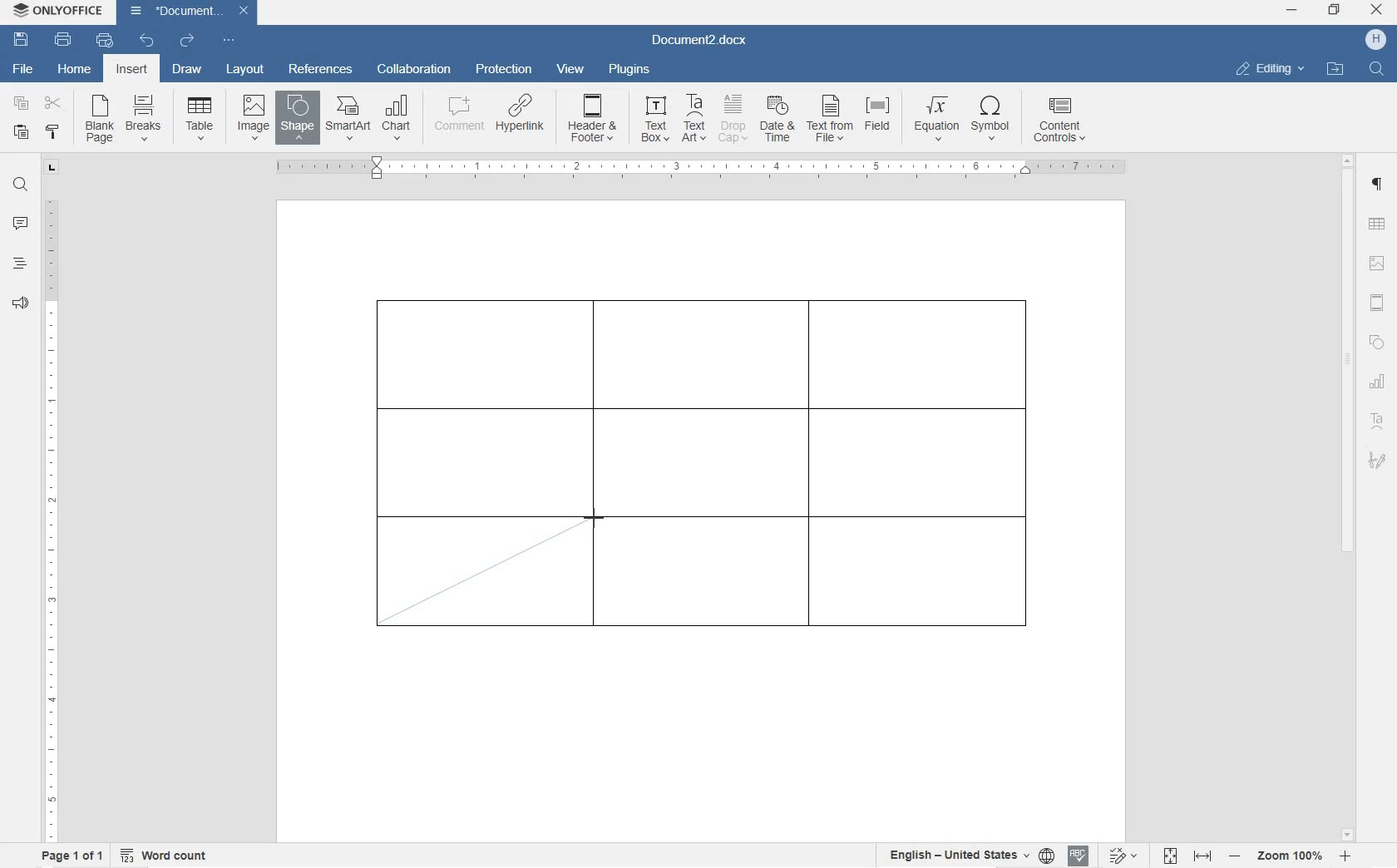 This screenshot has height=868, width=1397. Describe the element at coordinates (458, 119) in the screenshot. I see `COMMENT` at that location.